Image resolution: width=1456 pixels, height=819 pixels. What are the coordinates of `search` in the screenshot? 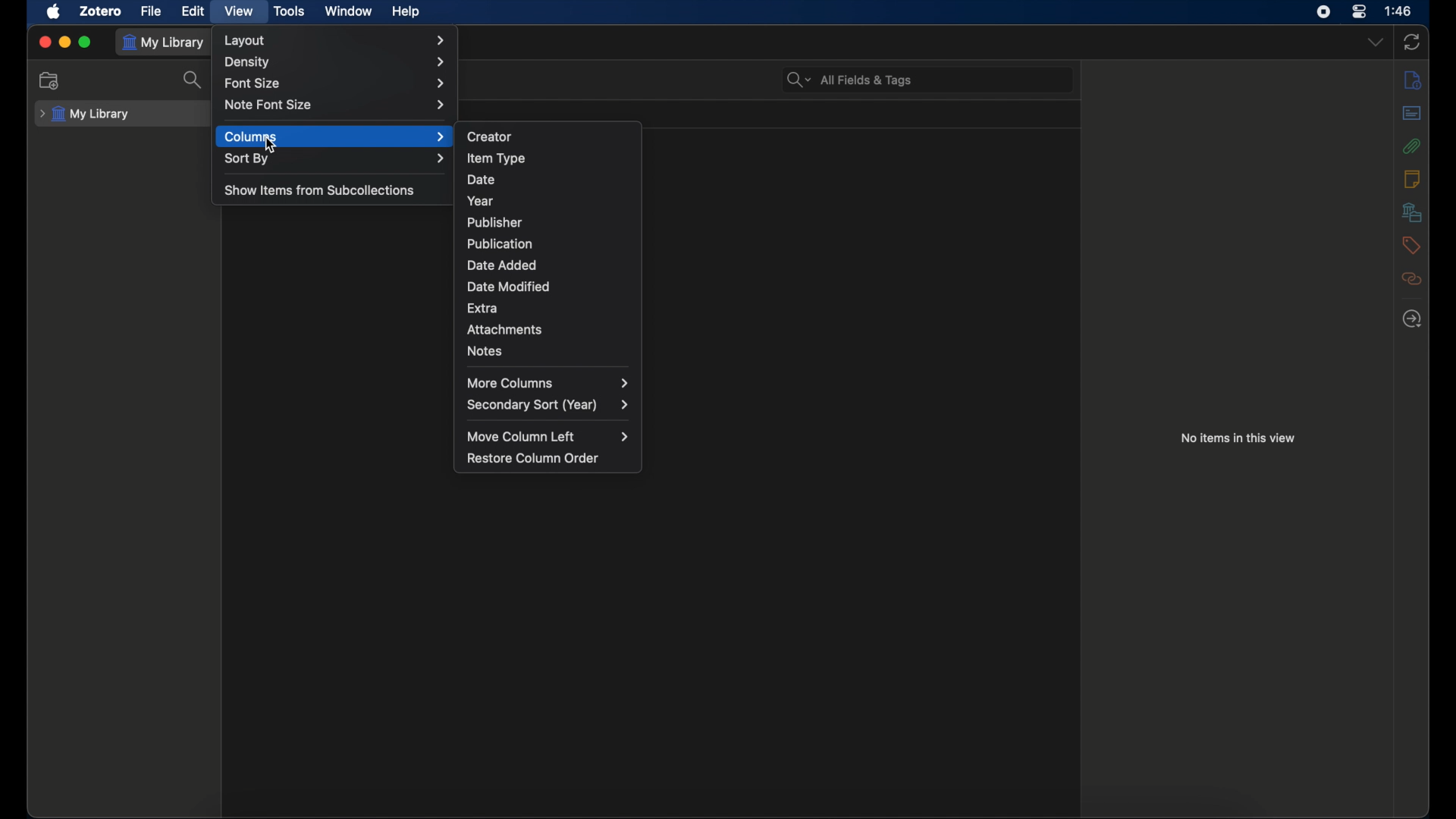 It's located at (194, 80).